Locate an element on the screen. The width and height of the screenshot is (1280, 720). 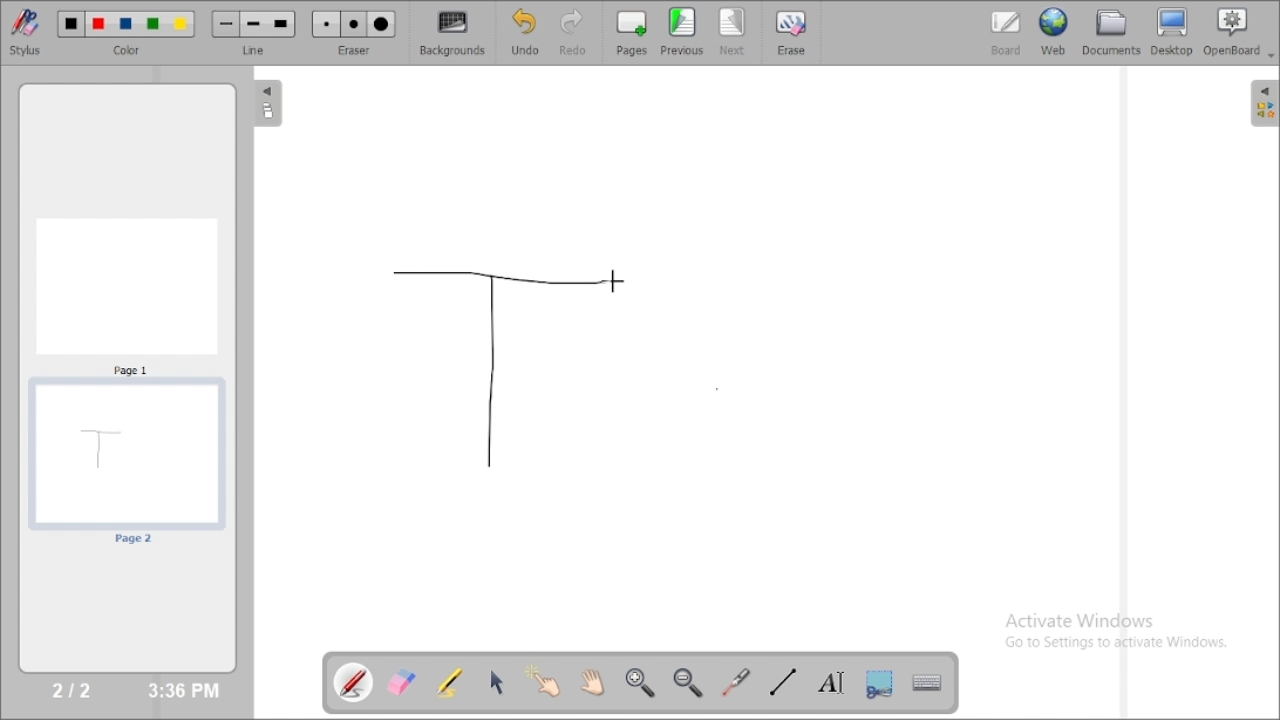
backgrounds is located at coordinates (454, 33).